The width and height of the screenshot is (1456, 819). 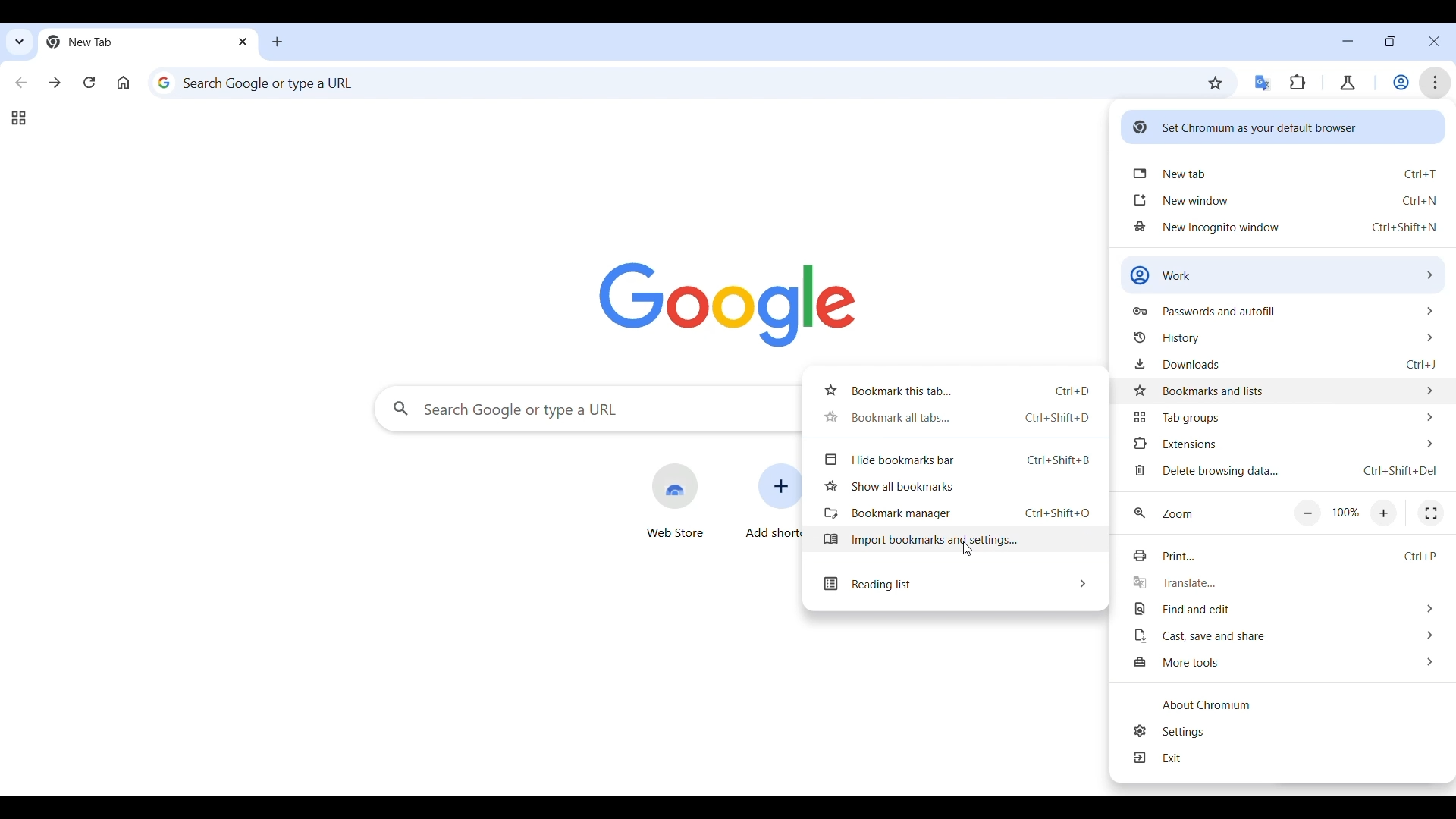 What do you see at coordinates (127, 42) in the screenshot?
I see `Current tab` at bounding box center [127, 42].